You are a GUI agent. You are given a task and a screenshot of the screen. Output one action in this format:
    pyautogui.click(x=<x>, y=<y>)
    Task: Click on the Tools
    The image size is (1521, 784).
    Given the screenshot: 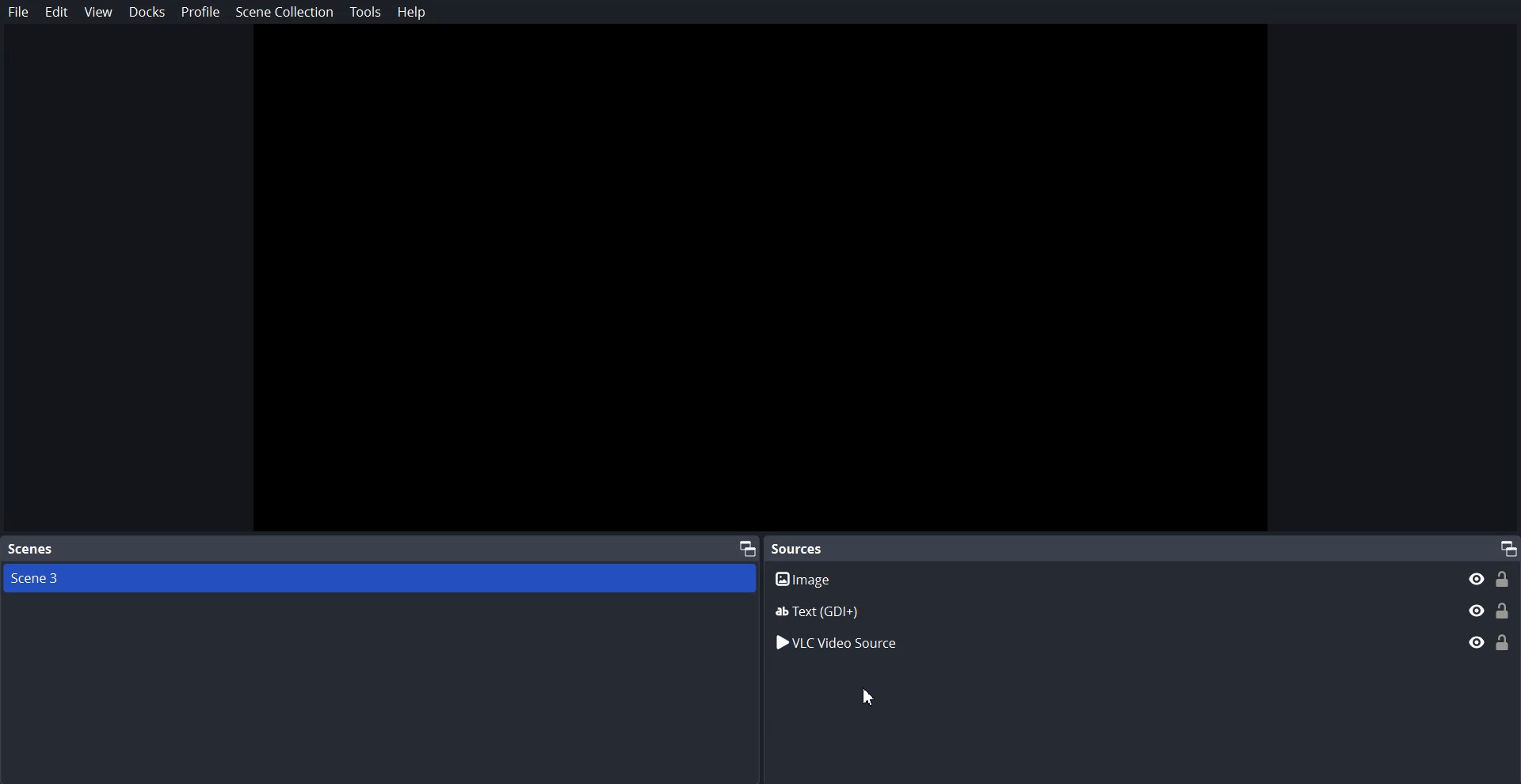 What is the action you would take?
    pyautogui.click(x=366, y=12)
    